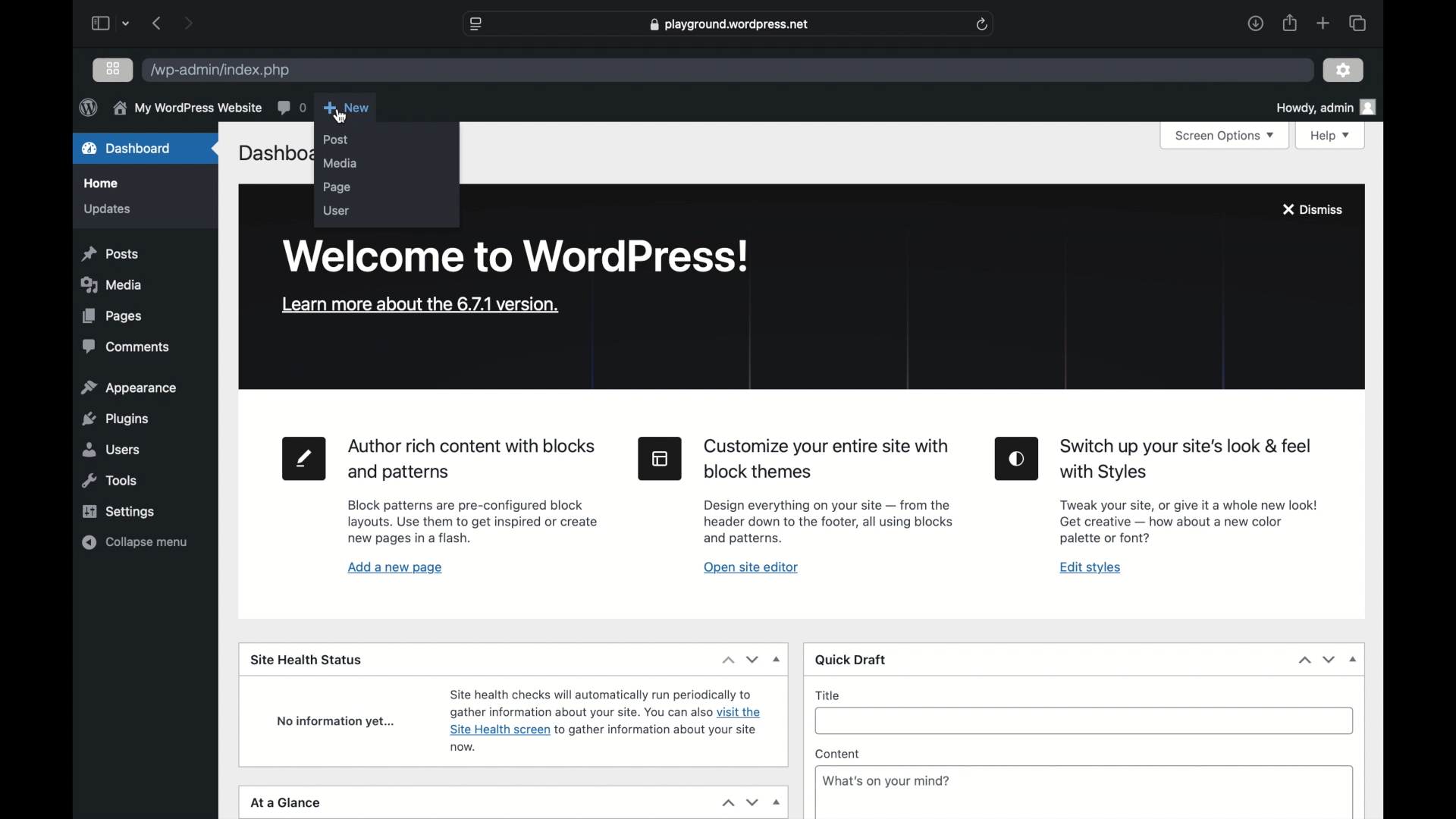 This screenshot has width=1456, height=819. Describe the element at coordinates (127, 149) in the screenshot. I see `dashboard` at that location.